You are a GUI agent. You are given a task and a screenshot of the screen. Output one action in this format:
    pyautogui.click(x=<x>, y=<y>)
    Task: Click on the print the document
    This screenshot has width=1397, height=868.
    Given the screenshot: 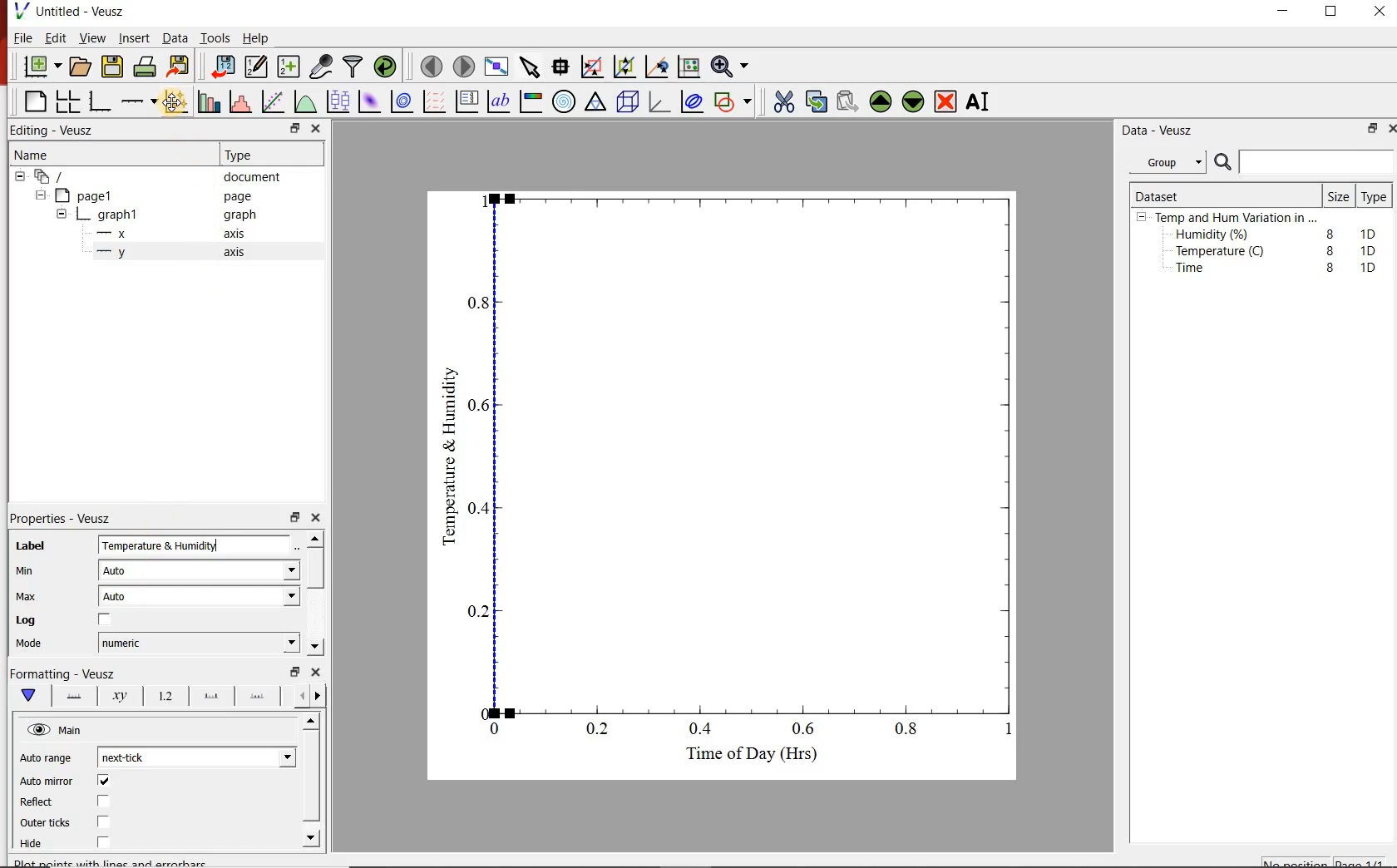 What is the action you would take?
    pyautogui.click(x=146, y=69)
    